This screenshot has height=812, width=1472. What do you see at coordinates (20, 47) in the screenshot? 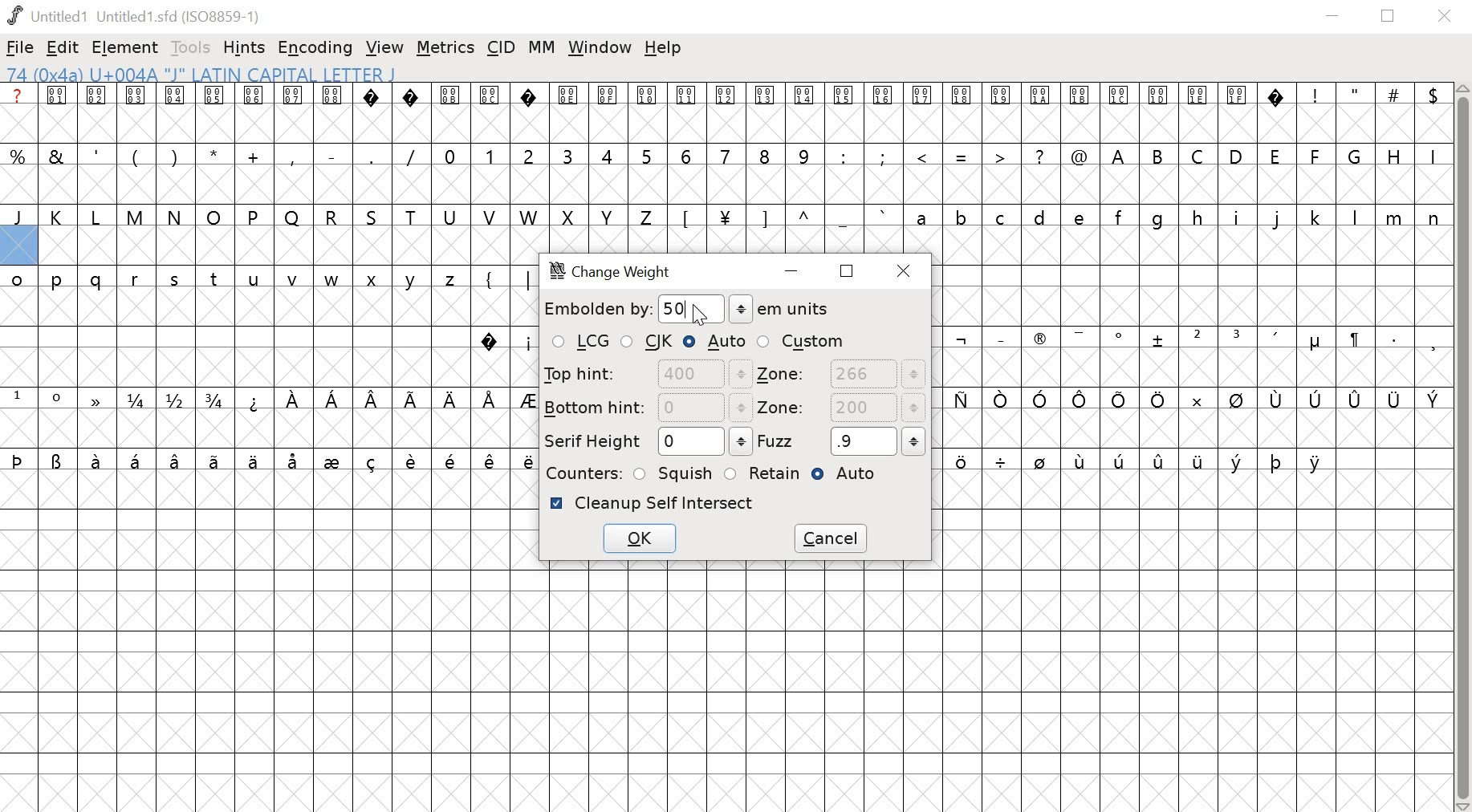
I see `FILE` at bounding box center [20, 47].